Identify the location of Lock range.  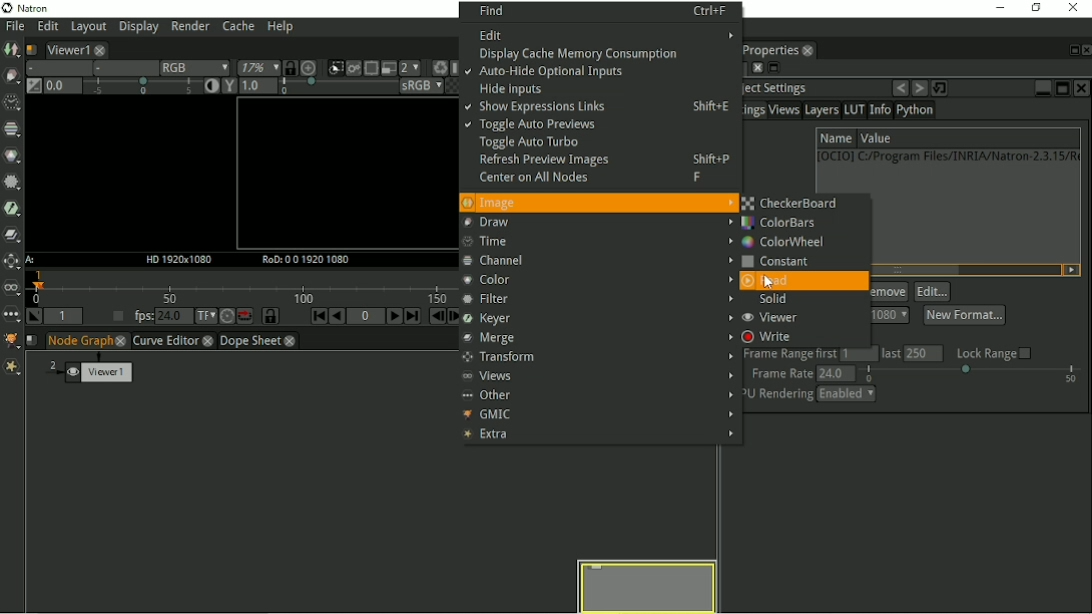
(994, 353).